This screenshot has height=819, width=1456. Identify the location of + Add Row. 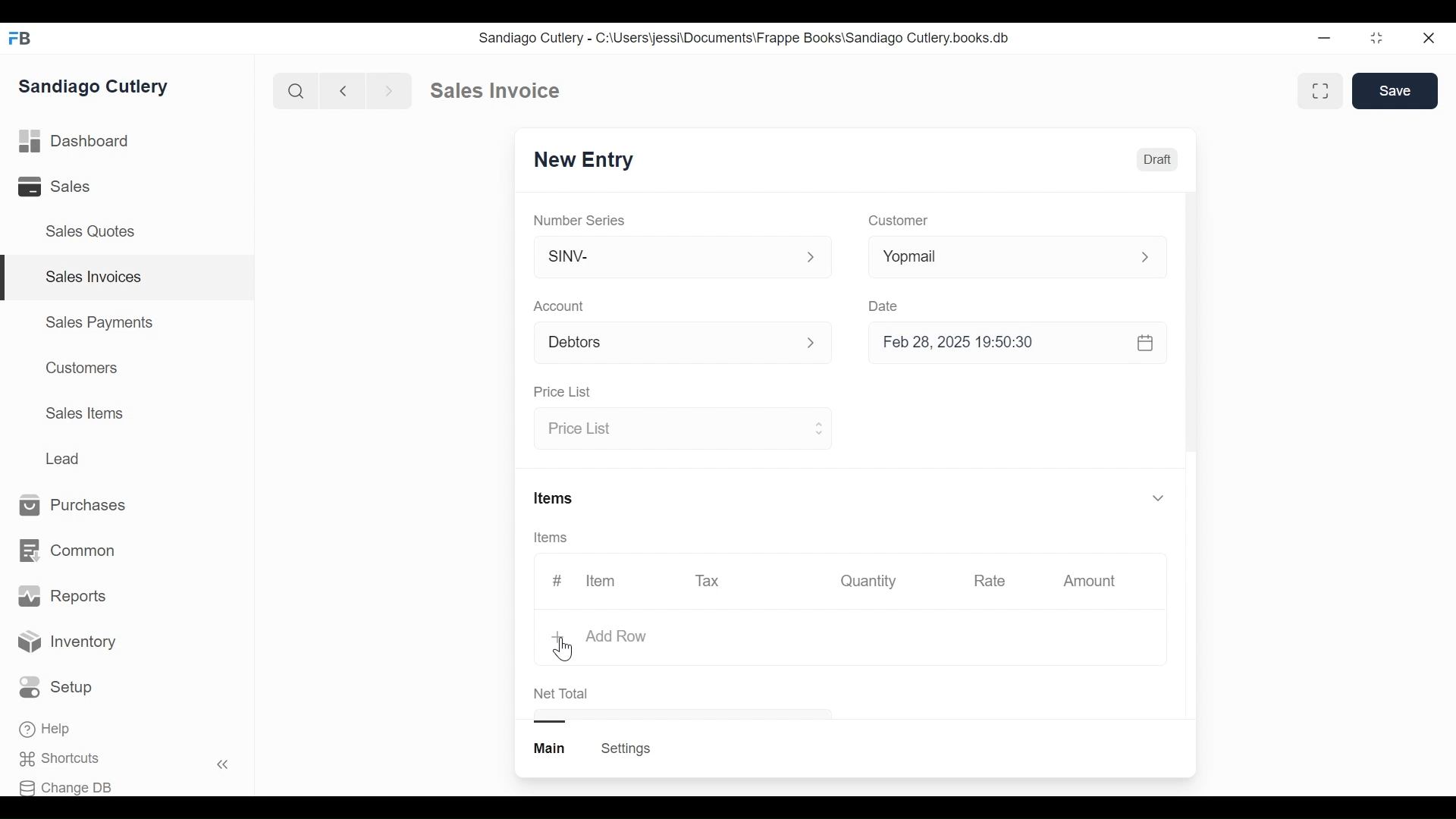
(598, 636).